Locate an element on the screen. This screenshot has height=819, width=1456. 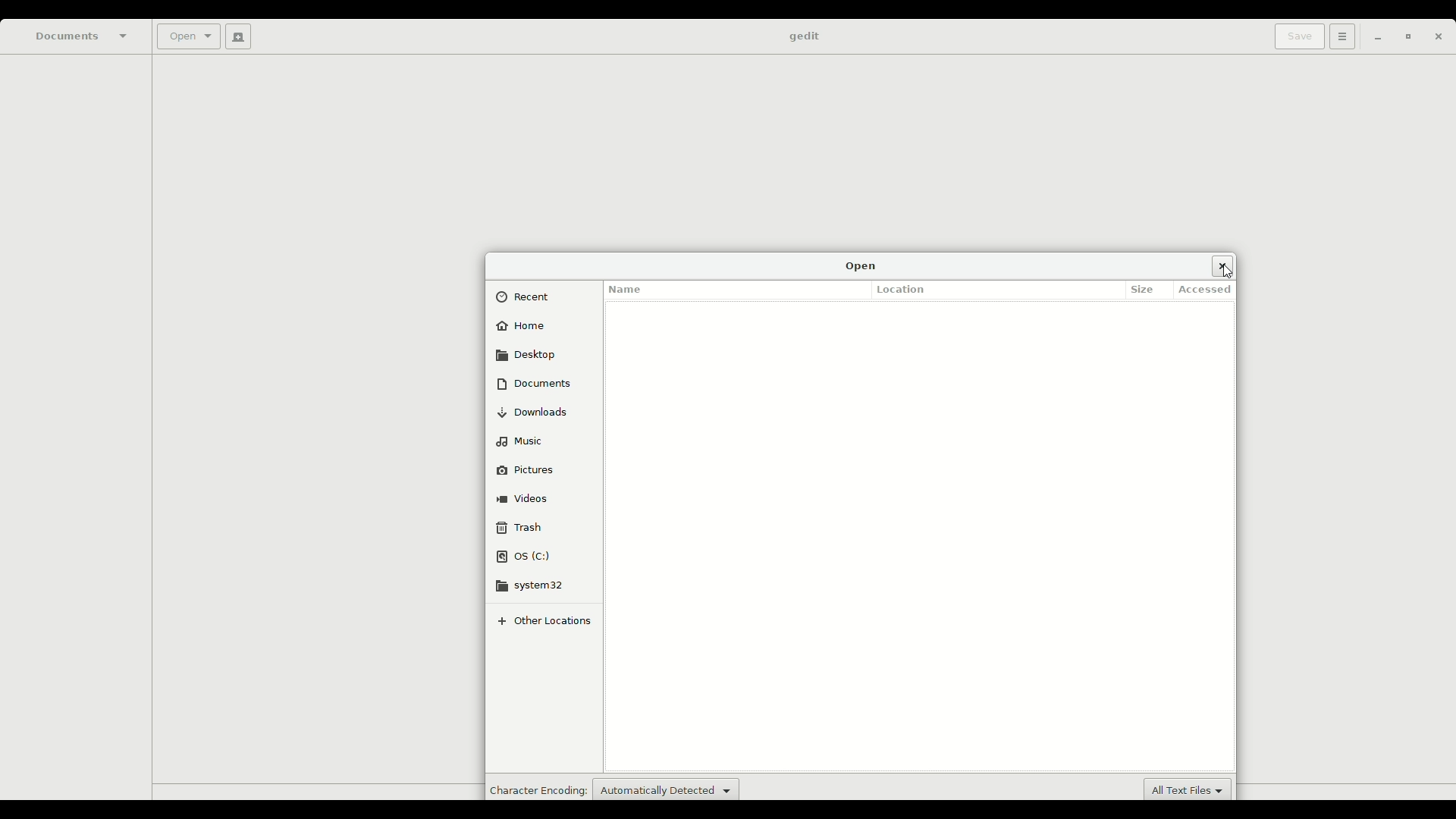
Save is located at coordinates (1296, 36).